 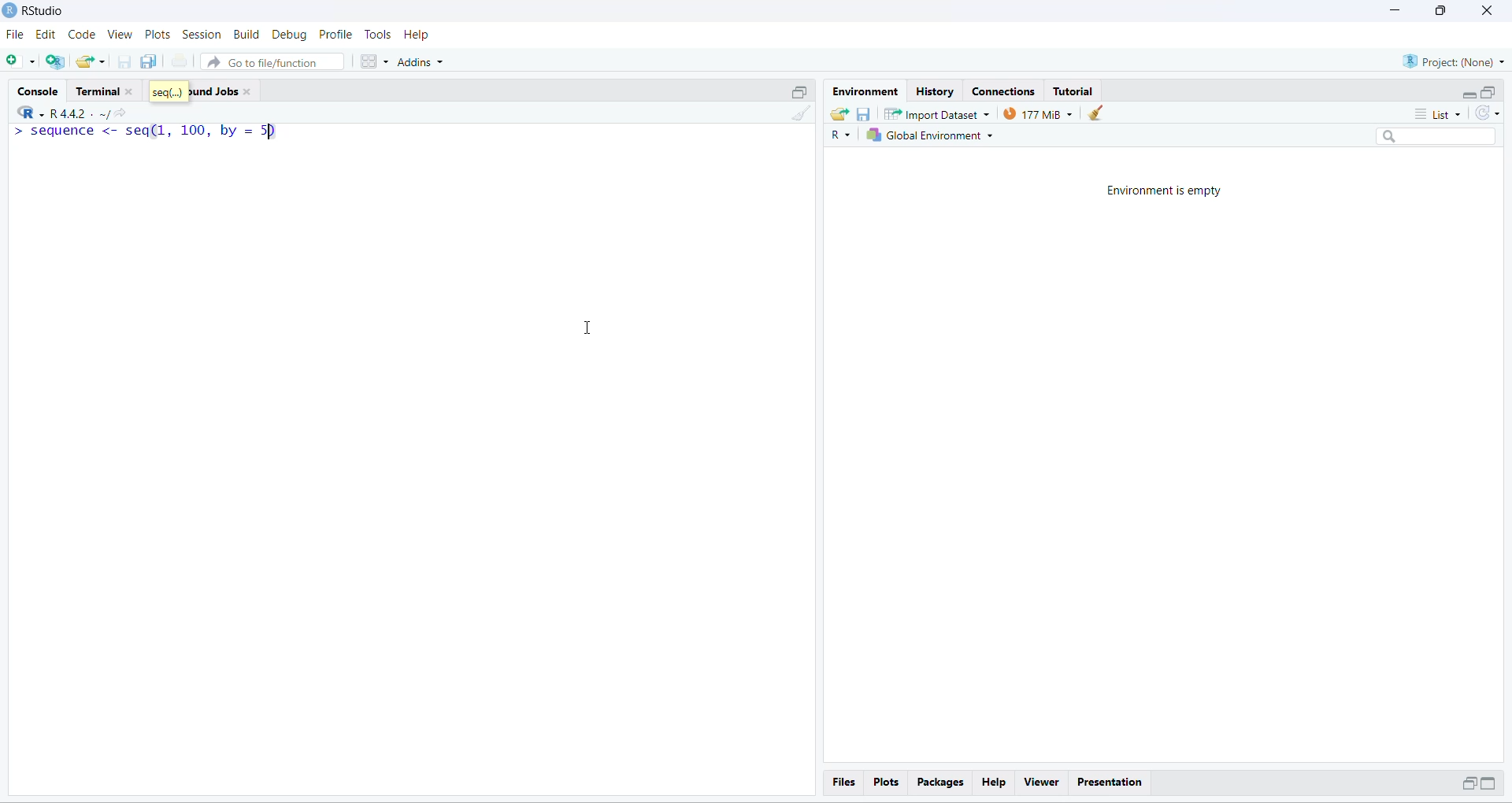 What do you see at coordinates (867, 92) in the screenshot?
I see `enviornment` at bounding box center [867, 92].